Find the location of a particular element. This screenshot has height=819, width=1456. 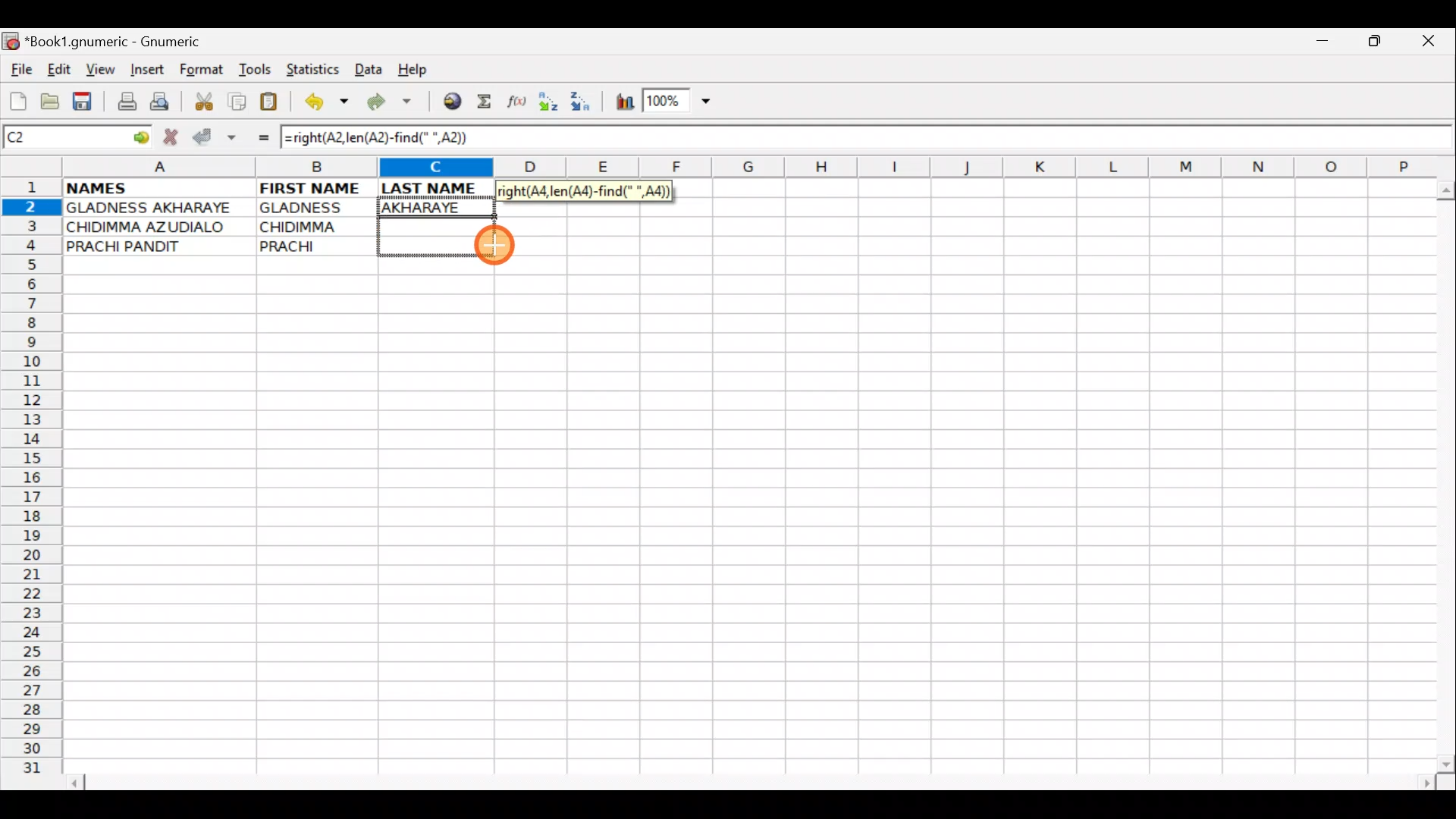

=right(A2, len(A2)-find(" ",A2)) is located at coordinates (384, 137).